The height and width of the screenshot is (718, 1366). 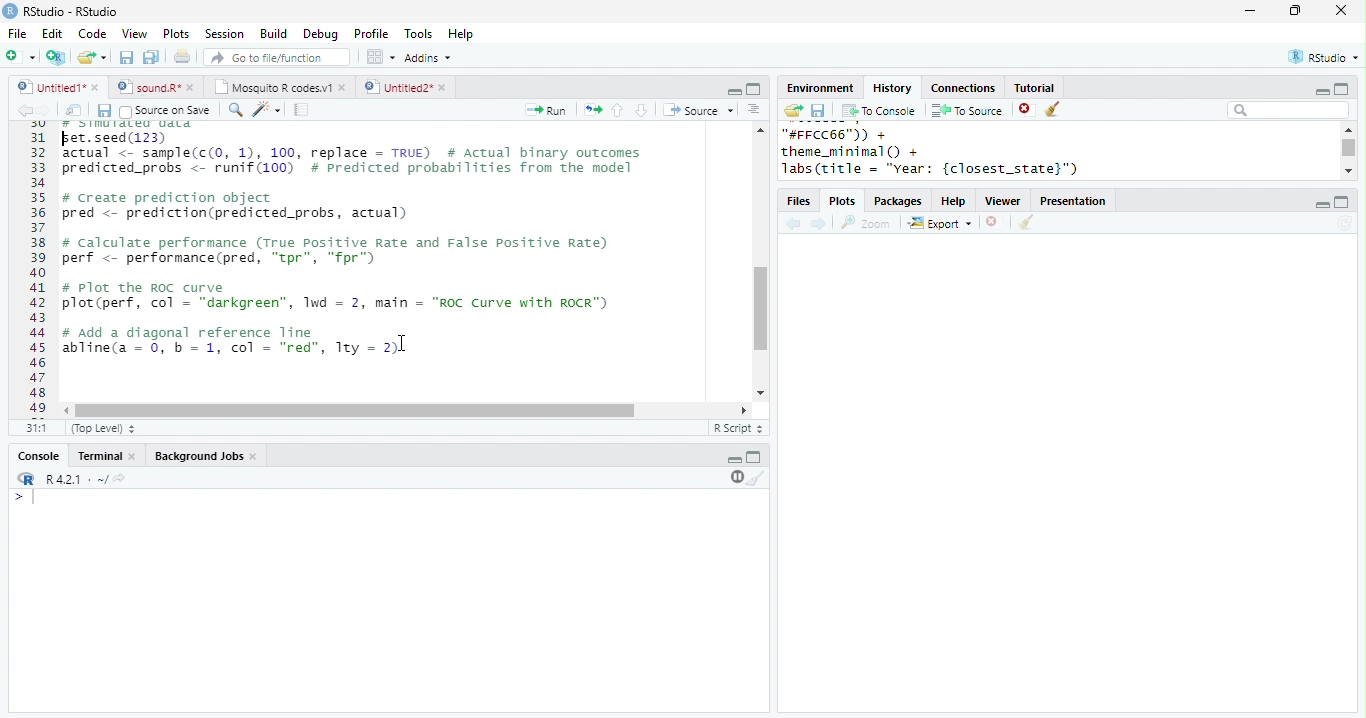 I want to click on View, so click(x=134, y=34).